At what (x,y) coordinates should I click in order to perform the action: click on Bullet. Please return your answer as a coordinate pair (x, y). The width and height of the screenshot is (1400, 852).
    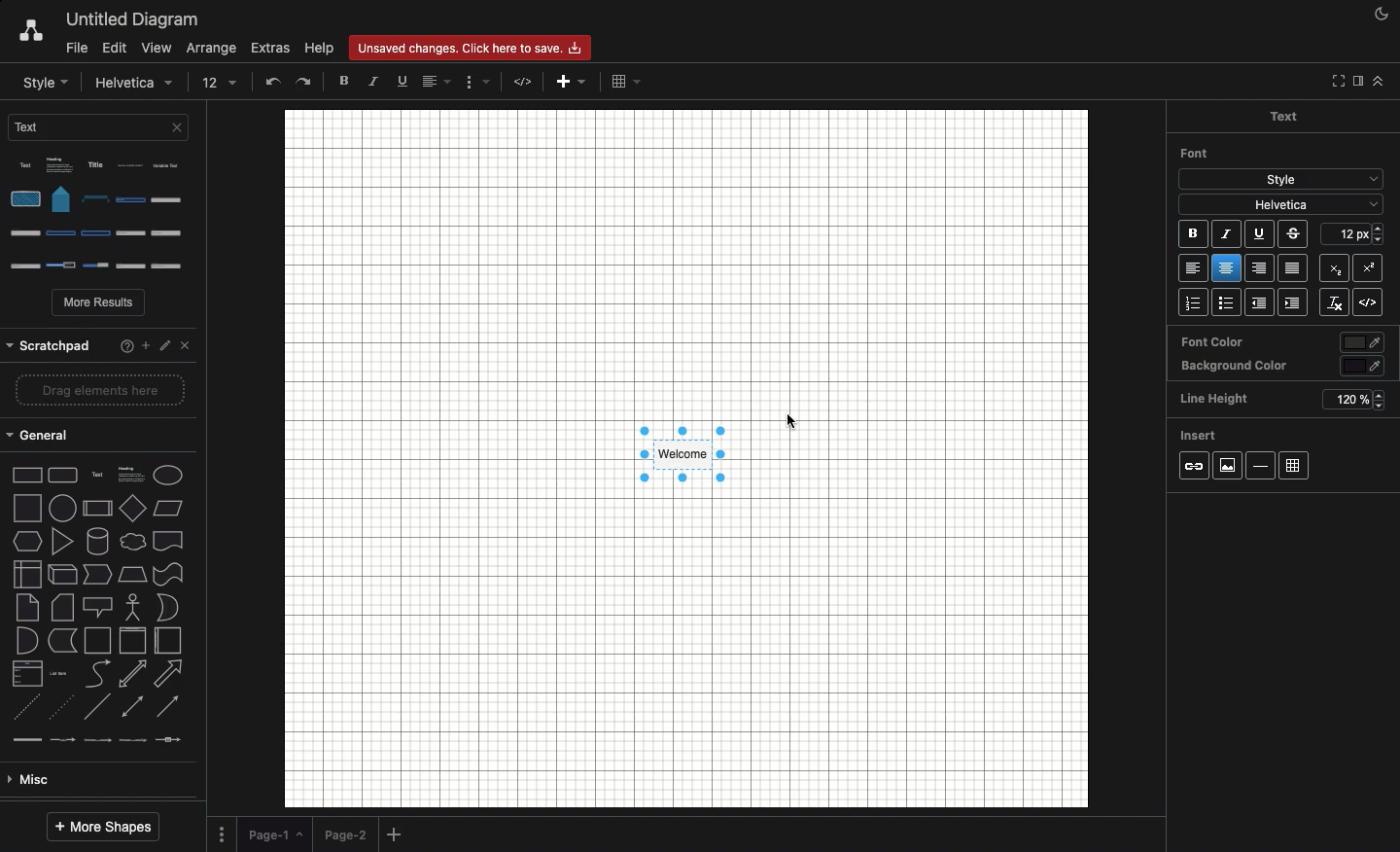
    Looking at the image, I should click on (1223, 304).